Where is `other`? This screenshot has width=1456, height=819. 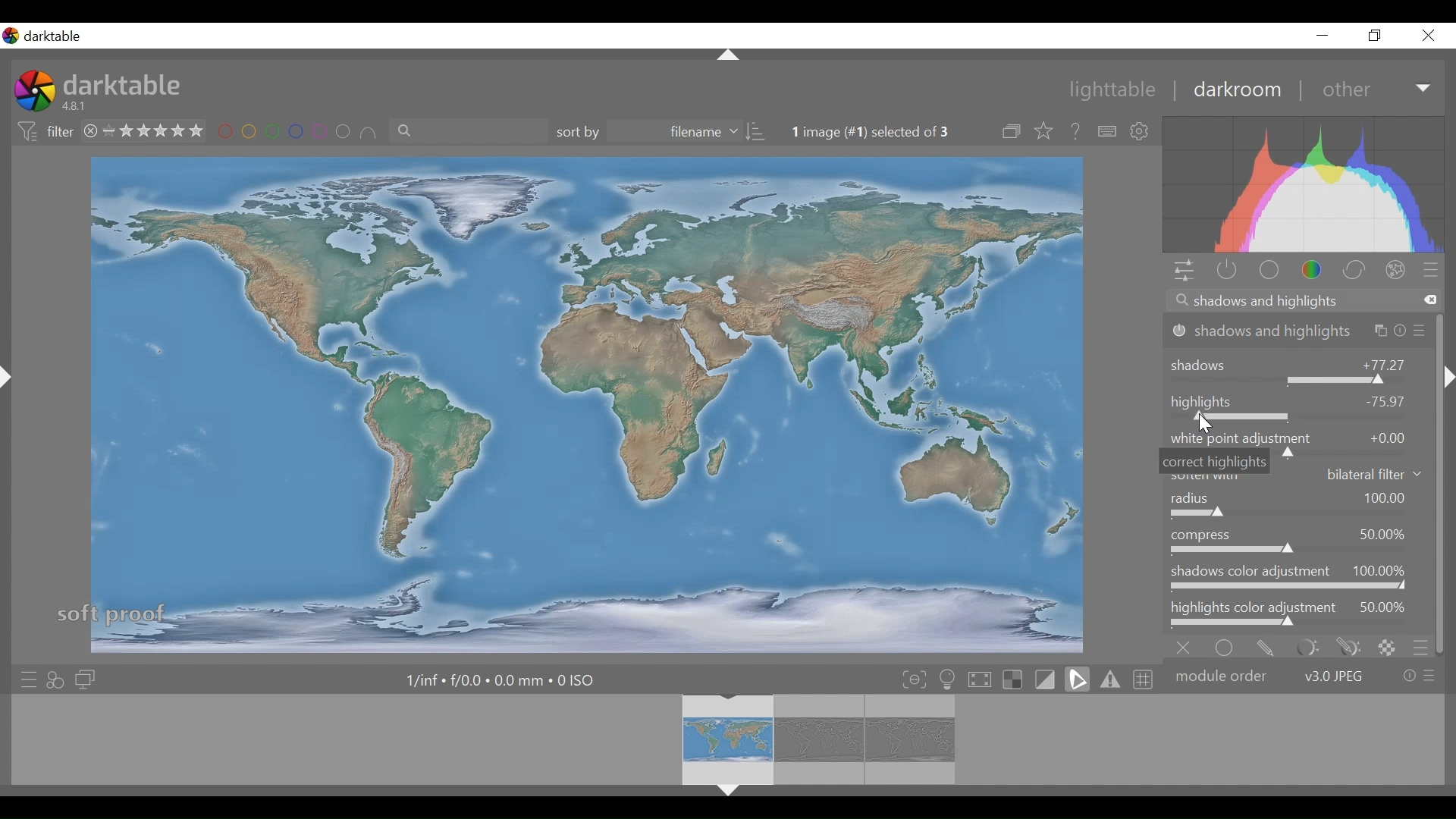 other is located at coordinates (1373, 89).